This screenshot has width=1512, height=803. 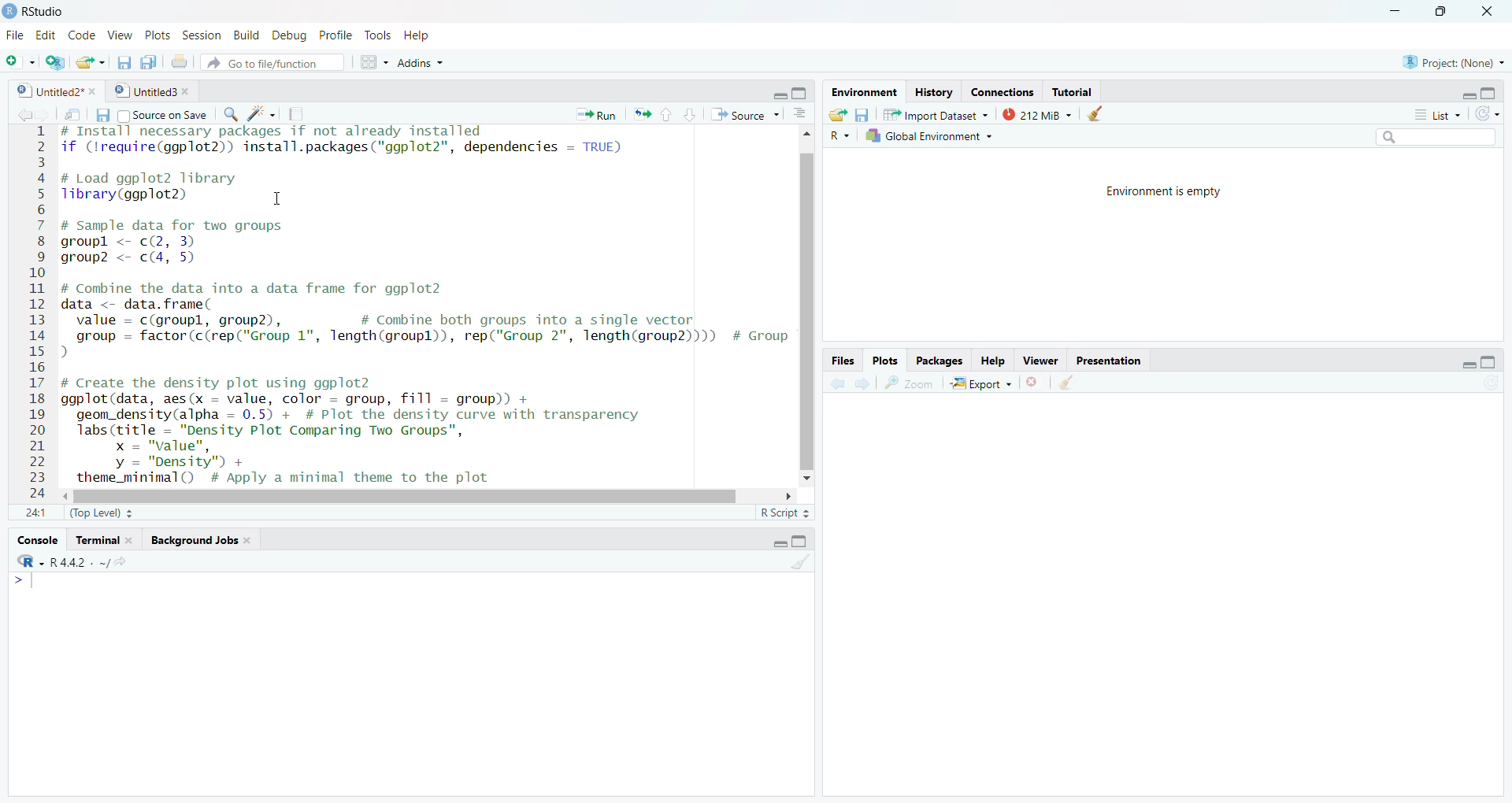 What do you see at coordinates (19, 60) in the screenshot?
I see `new file` at bounding box center [19, 60].